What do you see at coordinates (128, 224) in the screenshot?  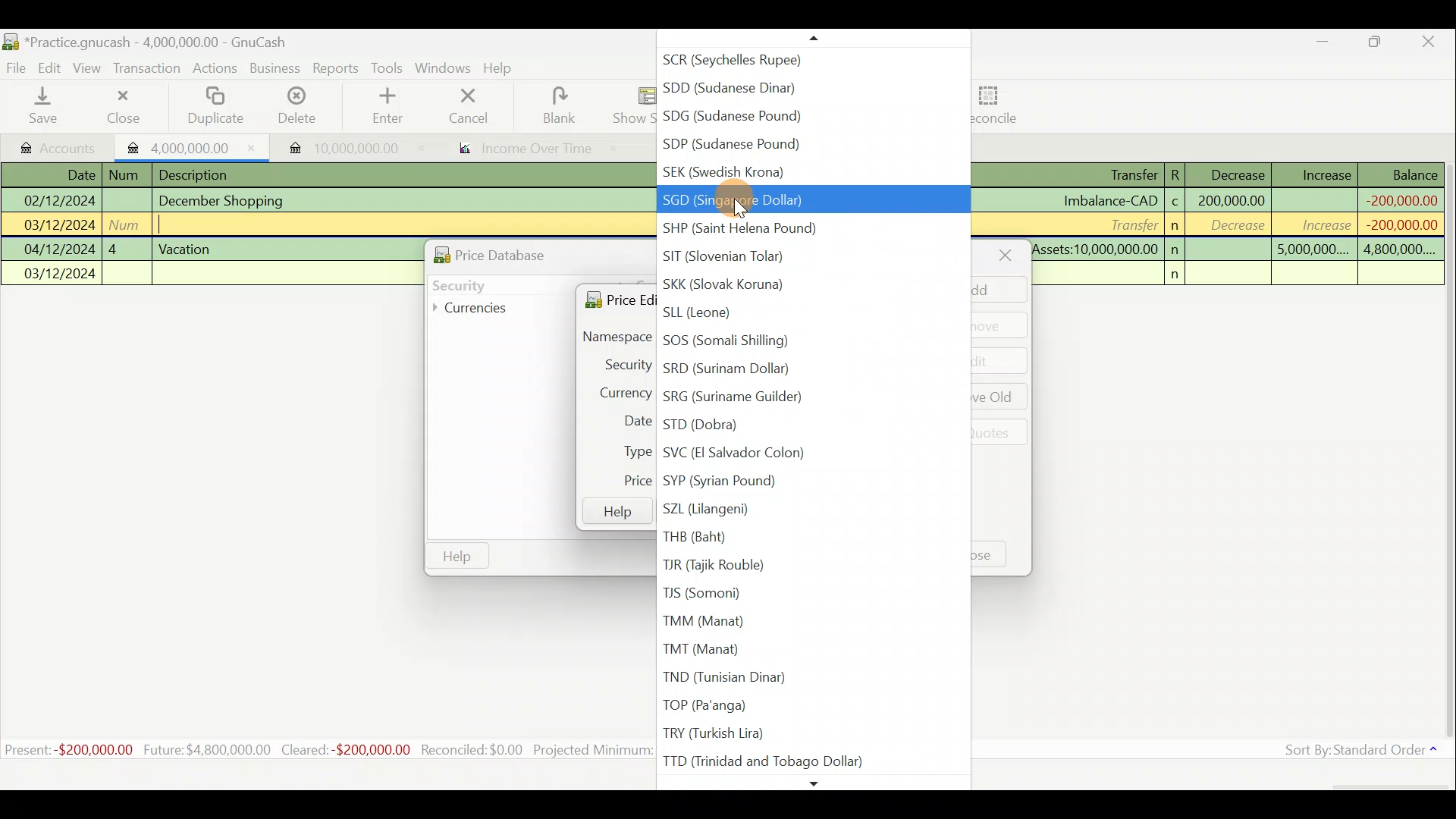 I see `num` at bounding box center [128, 224].